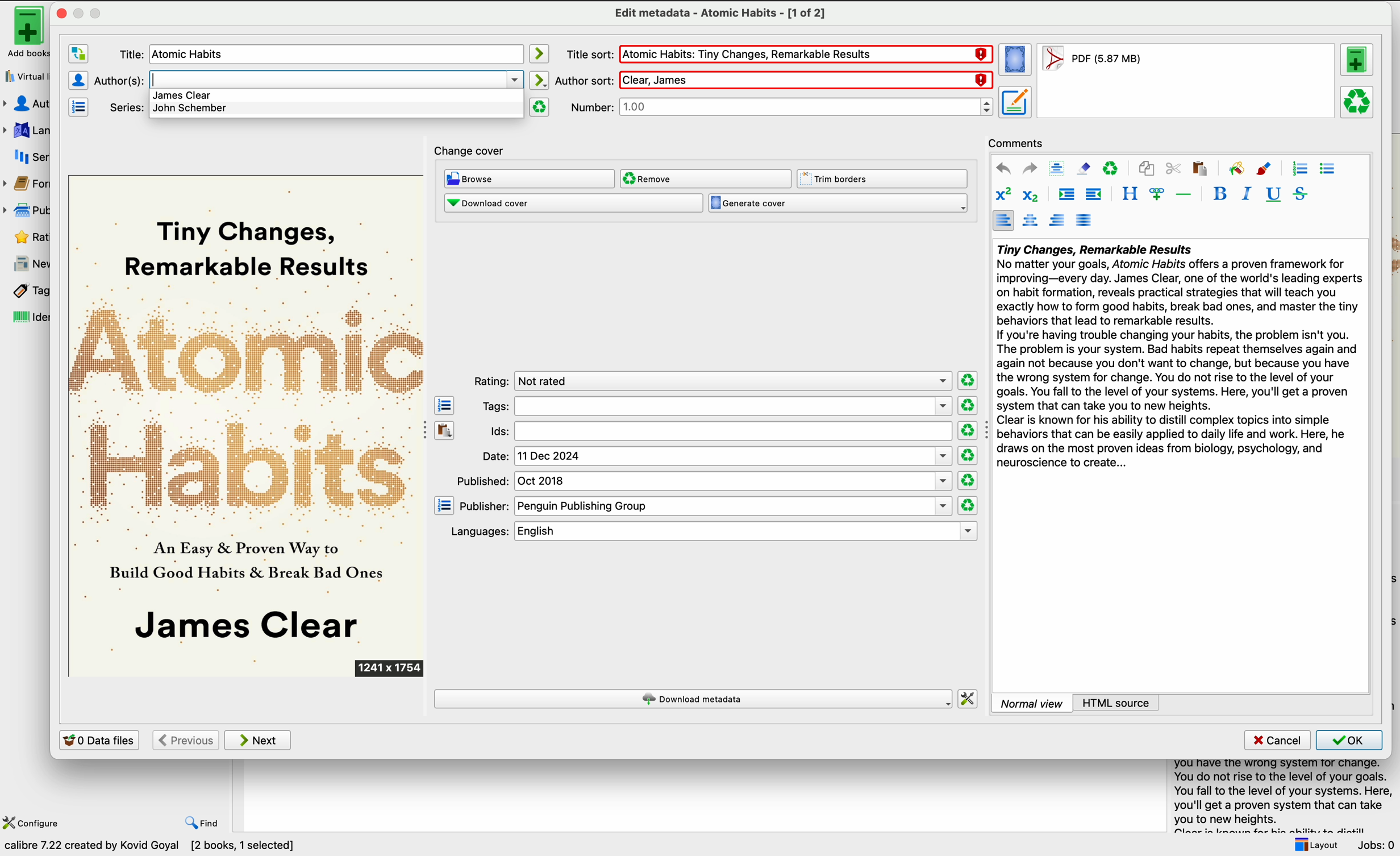 Image resolution: width=1400 pixels, height=856 pixels. Describe the element at coordinates (1276, 741) in the screenshot. I see `cancel button` at that location.